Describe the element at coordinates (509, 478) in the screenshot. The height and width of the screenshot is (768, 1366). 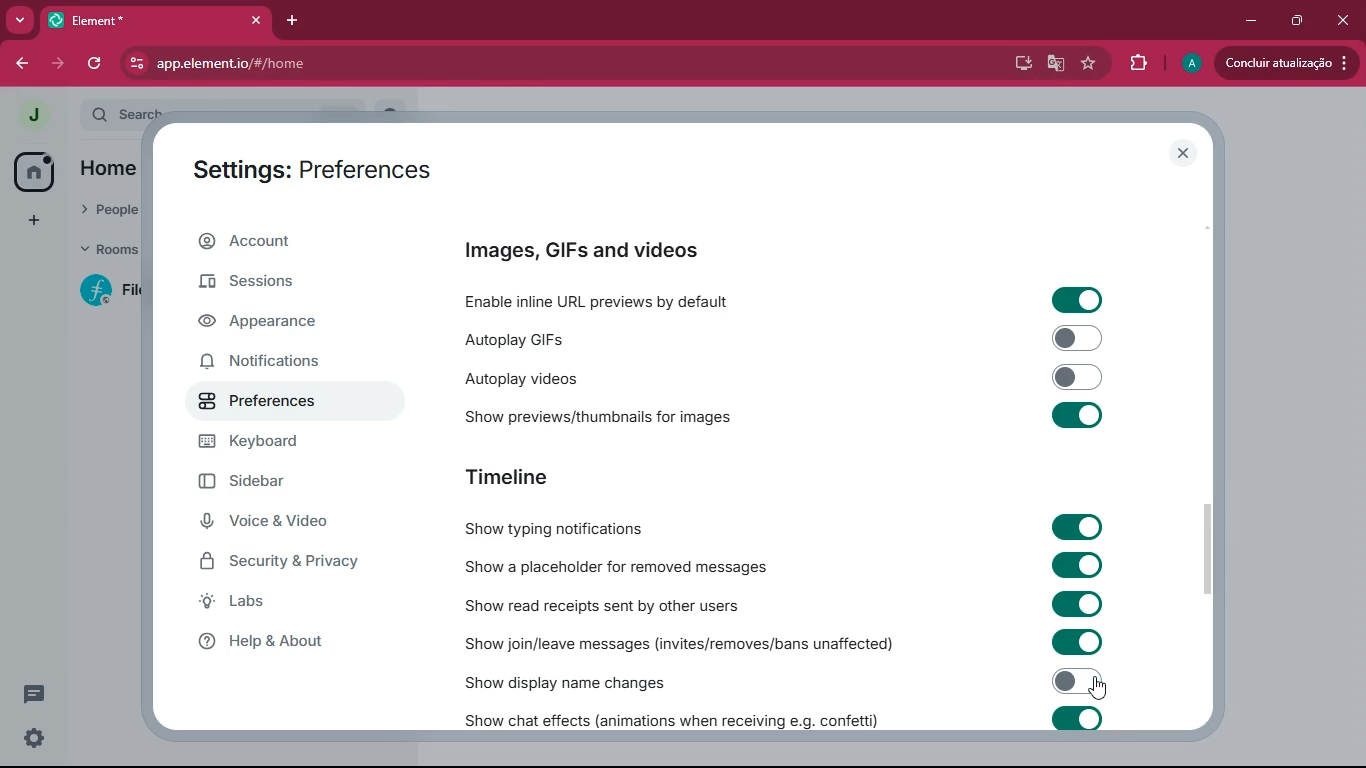
I see `timeline` at that location.